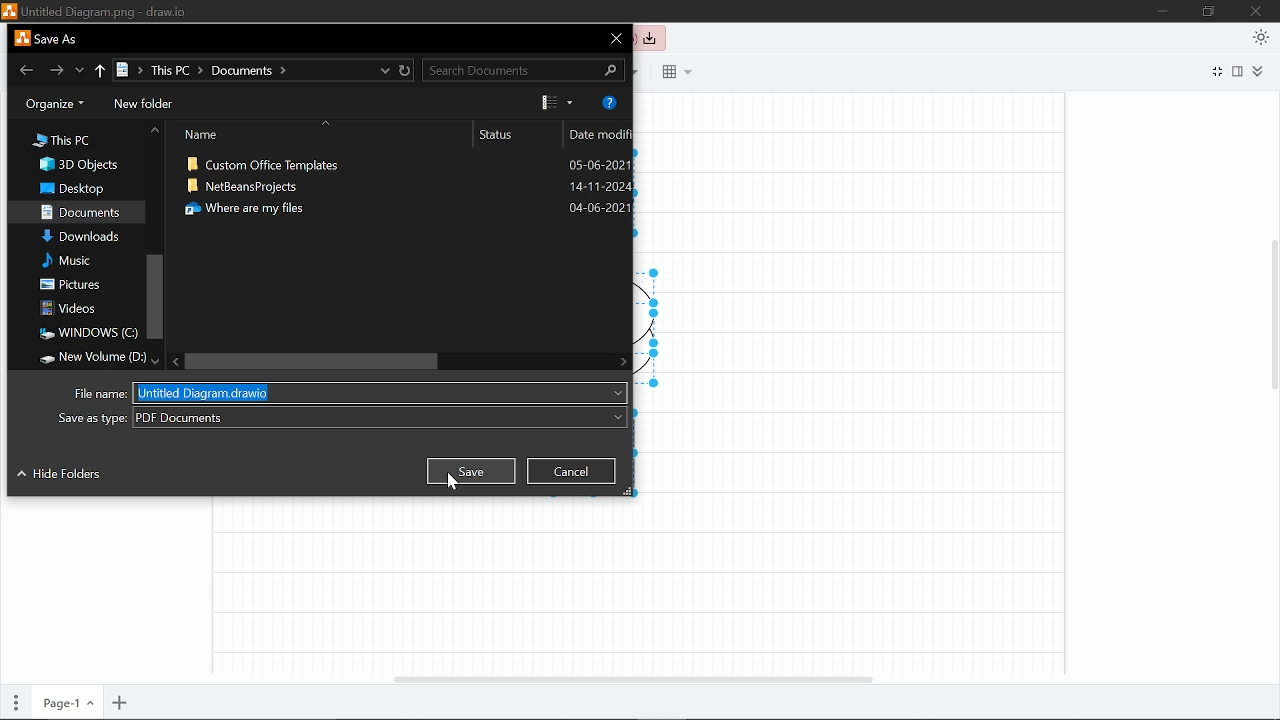 The width and height of the screenshot is (1280, 720). I want to click on Pages, so click(16, 701).